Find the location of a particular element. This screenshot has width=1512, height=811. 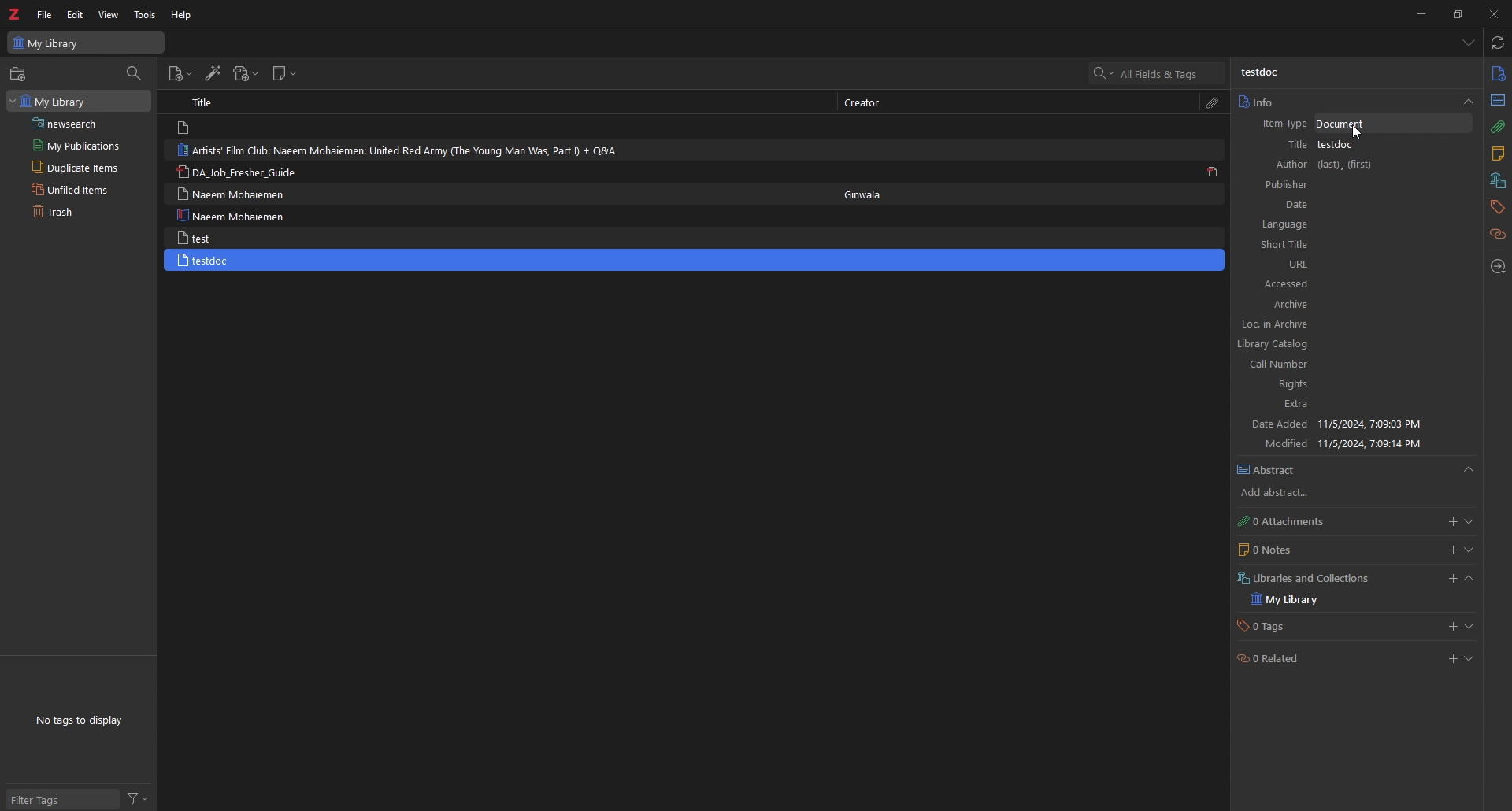

libraries and collection is located at coordinates (1498, 182).